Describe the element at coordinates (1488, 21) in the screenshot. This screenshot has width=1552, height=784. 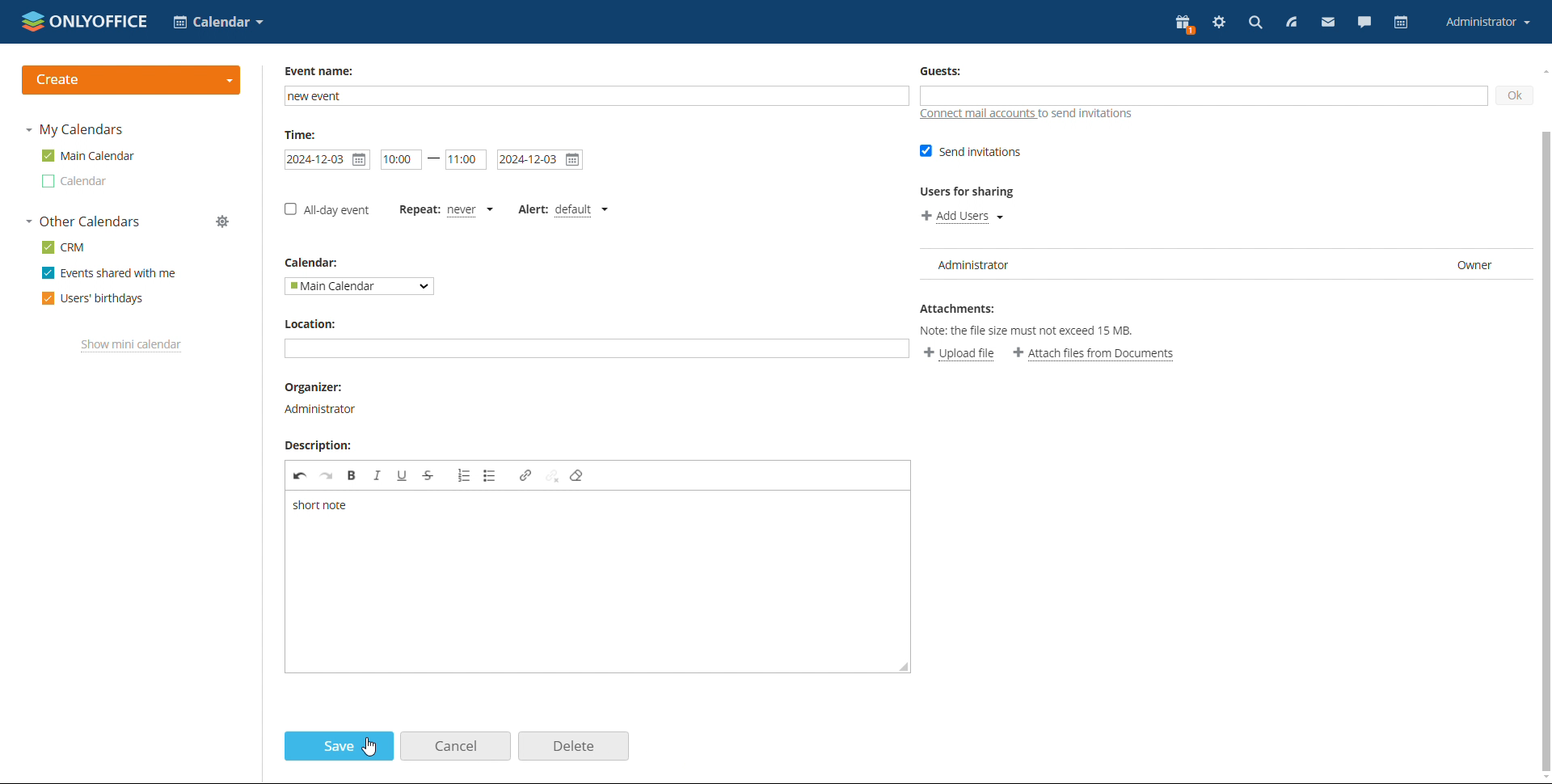
I see `account` at that location.